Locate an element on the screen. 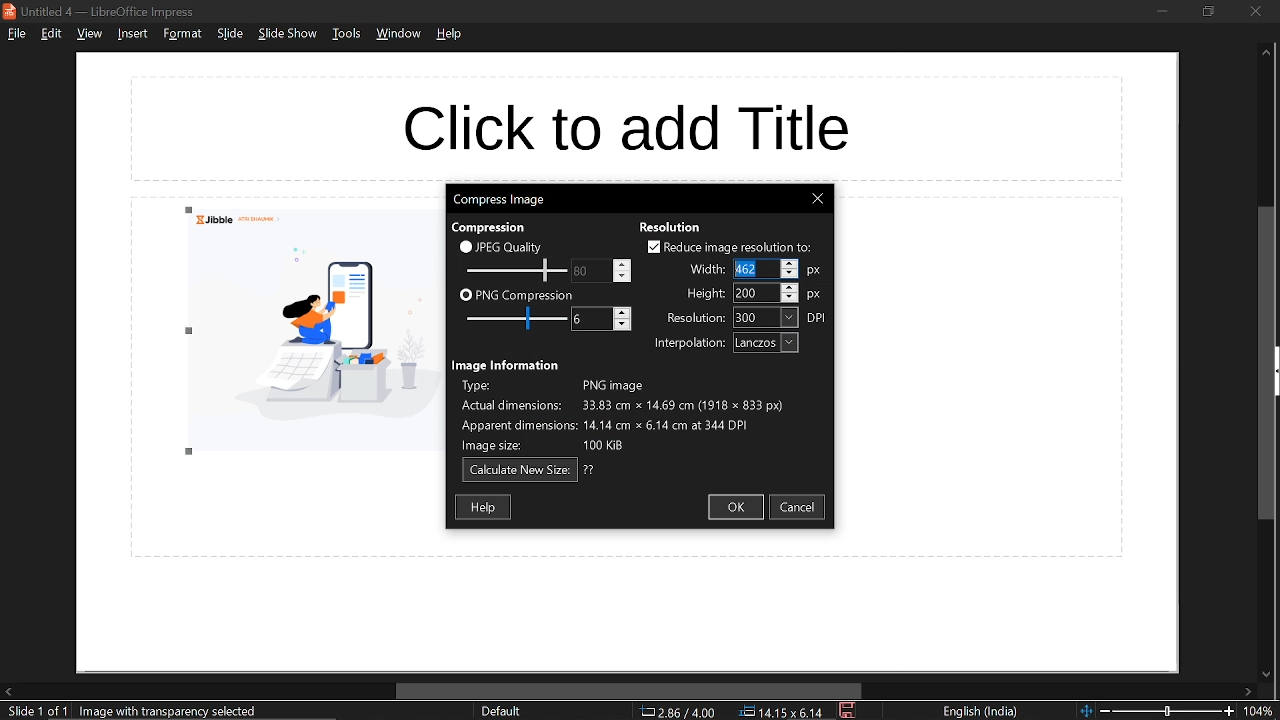 This screenshot has width=1280, height=720. Change PNG compression is located at coordinates (591, 318).